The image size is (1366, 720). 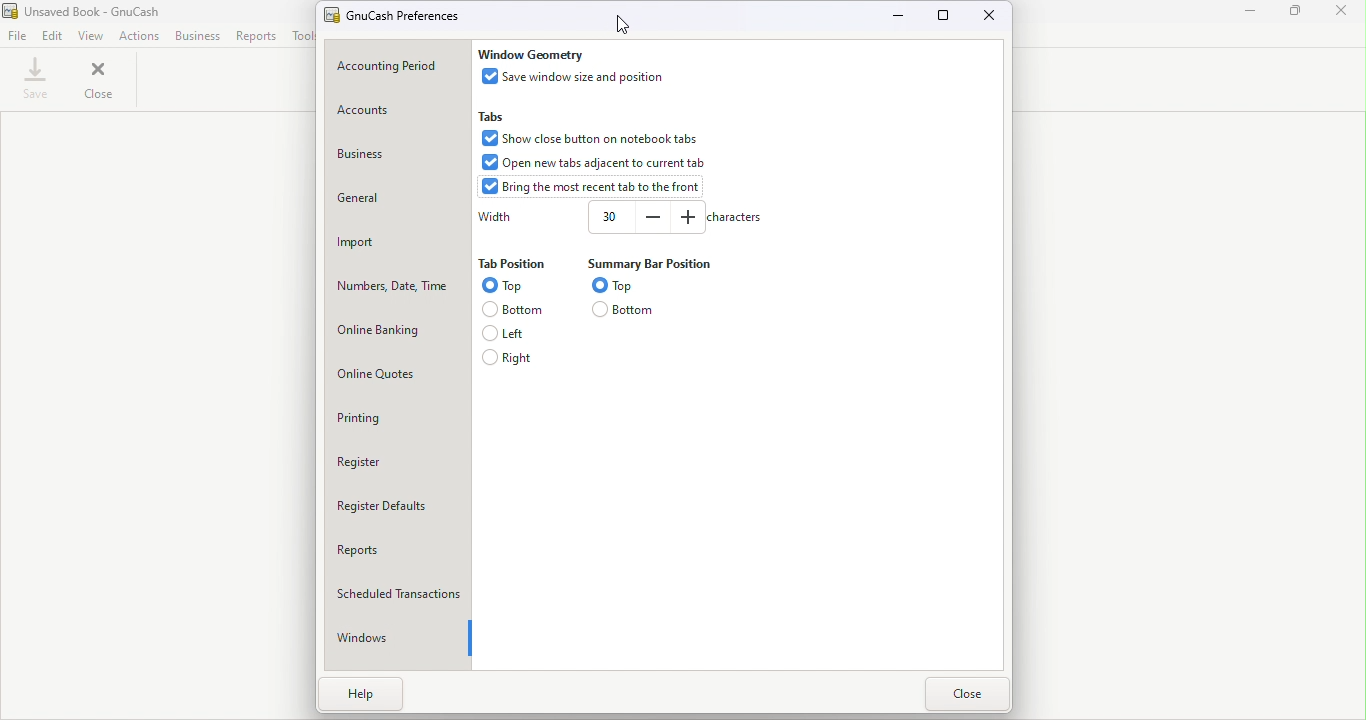 I want to click on Help, so click(x=379, y=700).